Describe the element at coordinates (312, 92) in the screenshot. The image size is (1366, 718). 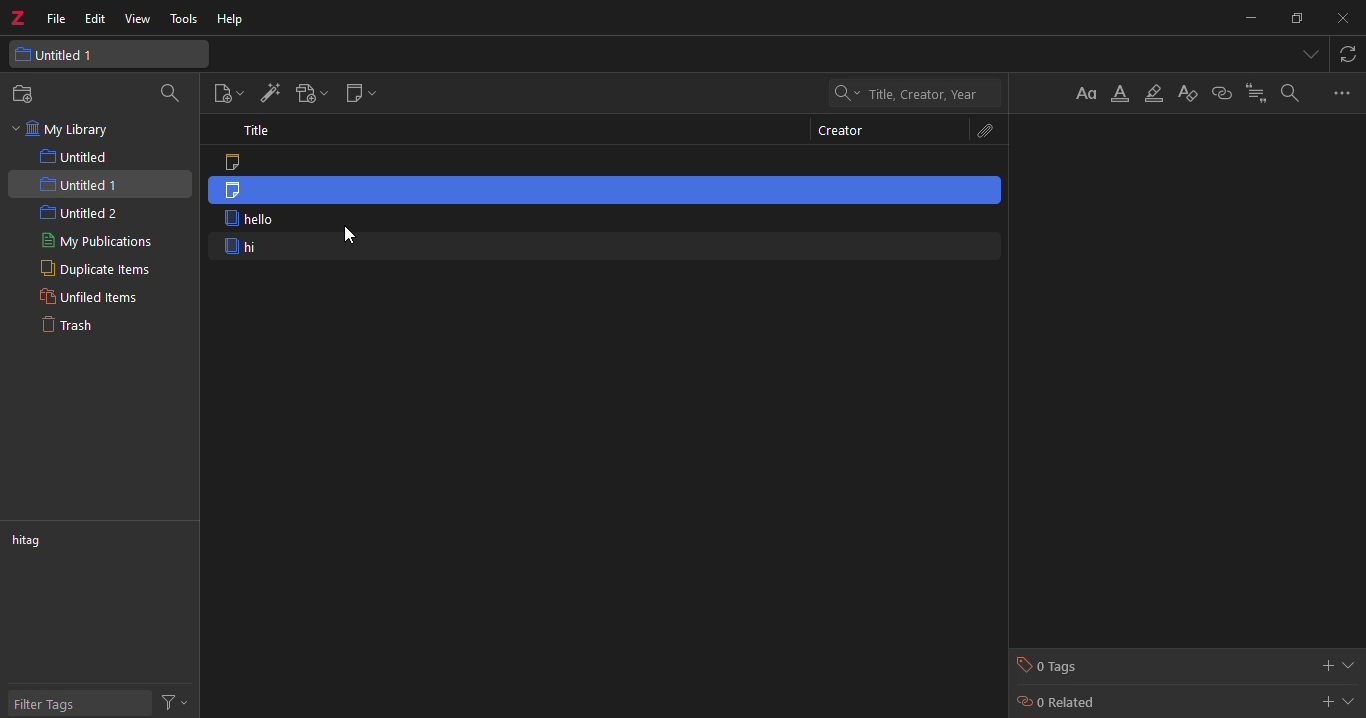
I see `add attach` at that location.